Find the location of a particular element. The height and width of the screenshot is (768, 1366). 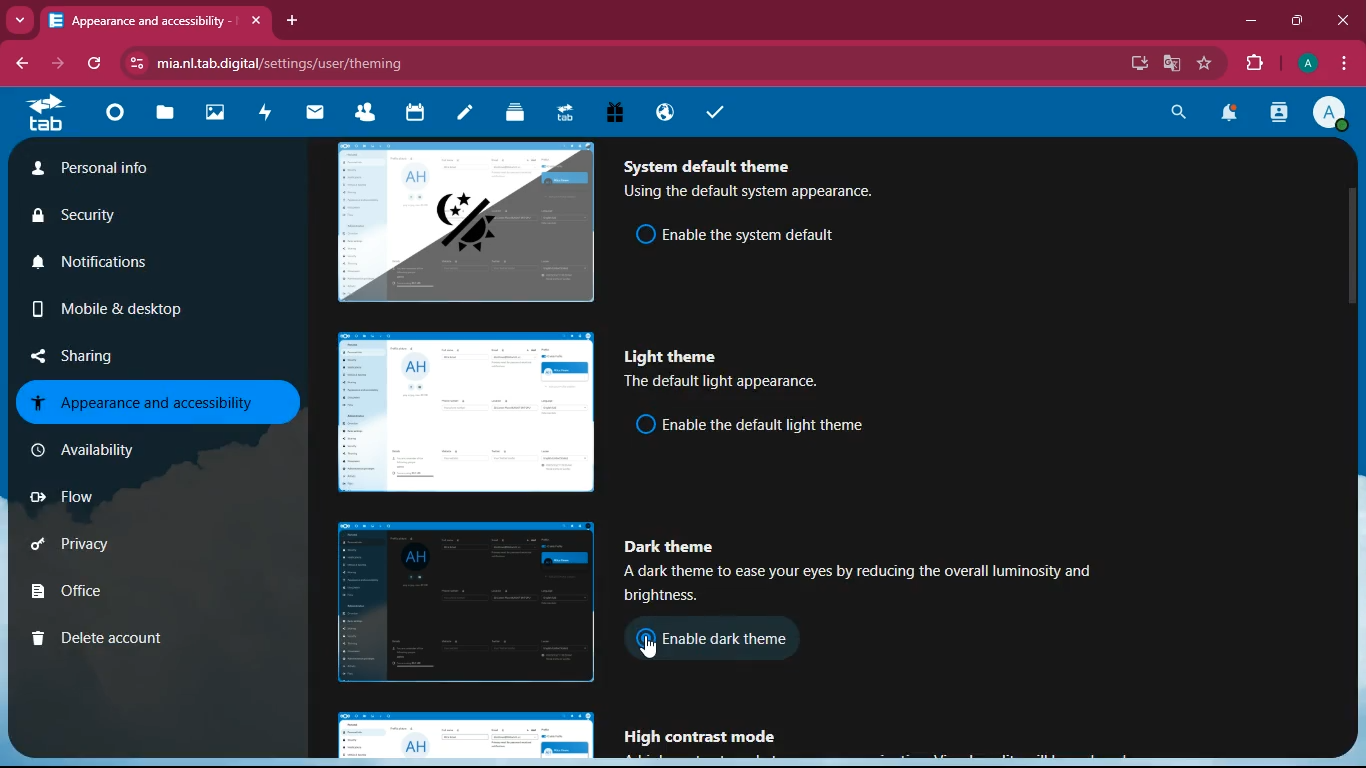

profile is located at coordinates (1309, 63).